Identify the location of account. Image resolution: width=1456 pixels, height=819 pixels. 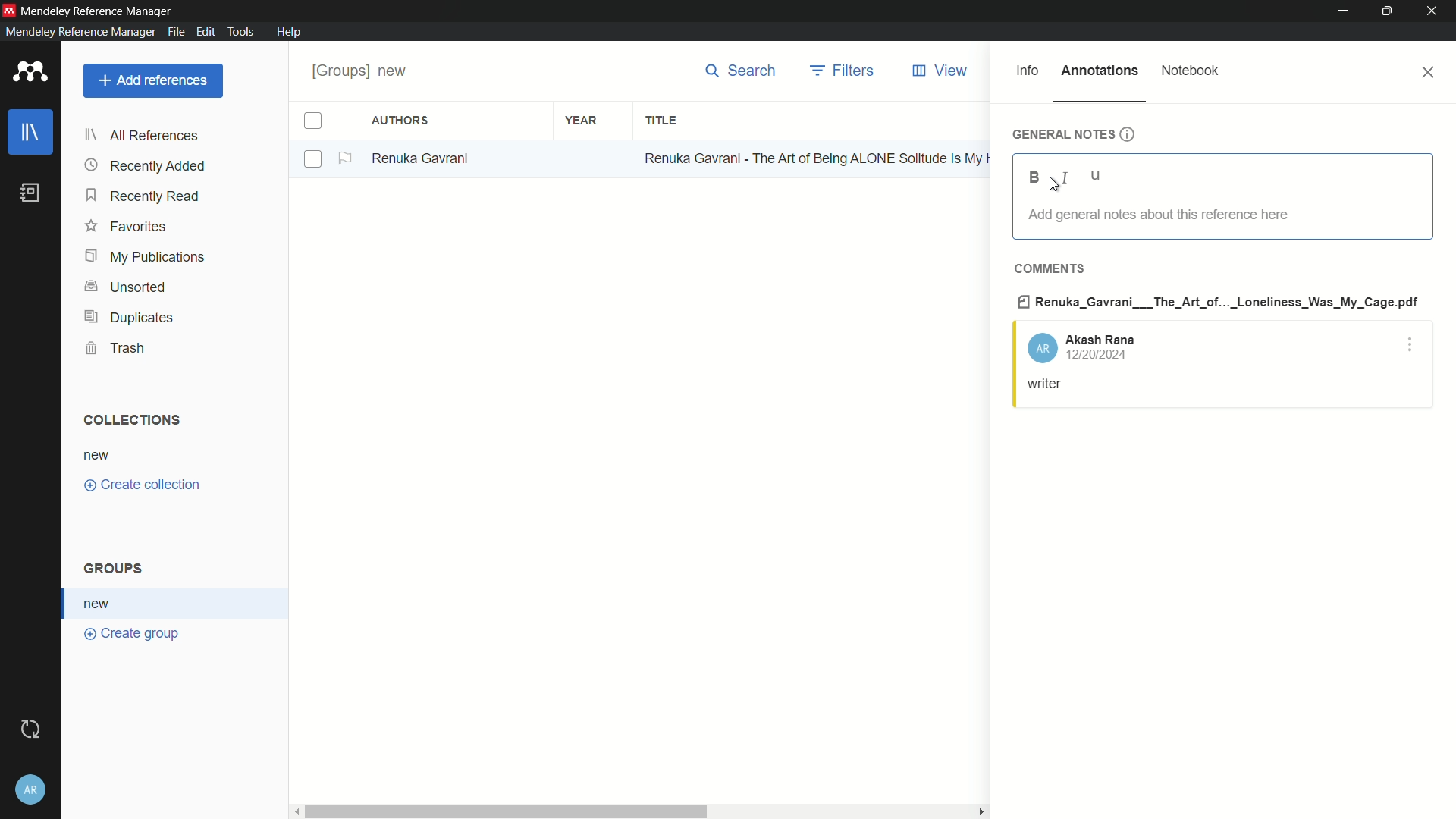
(1081, 347).